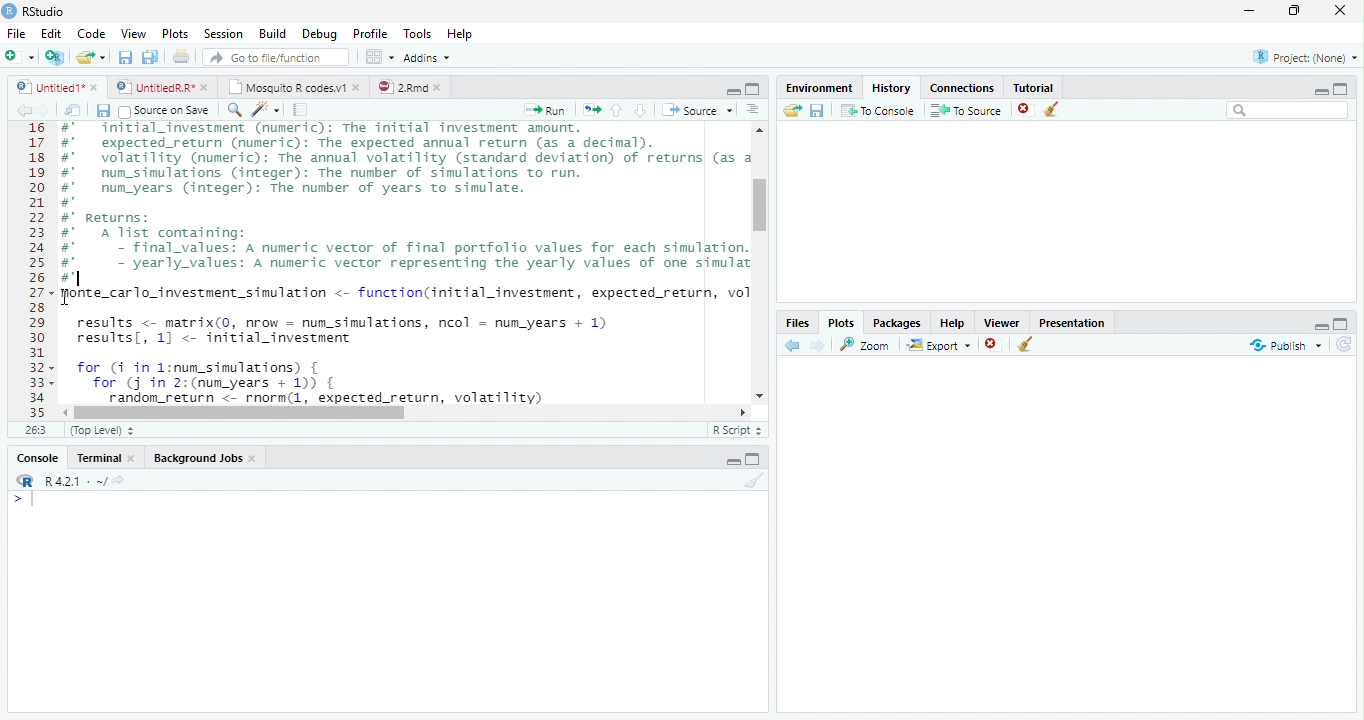  Describe the element at coordinates (222, 33) in the screenshot. I see `Session` at that location.